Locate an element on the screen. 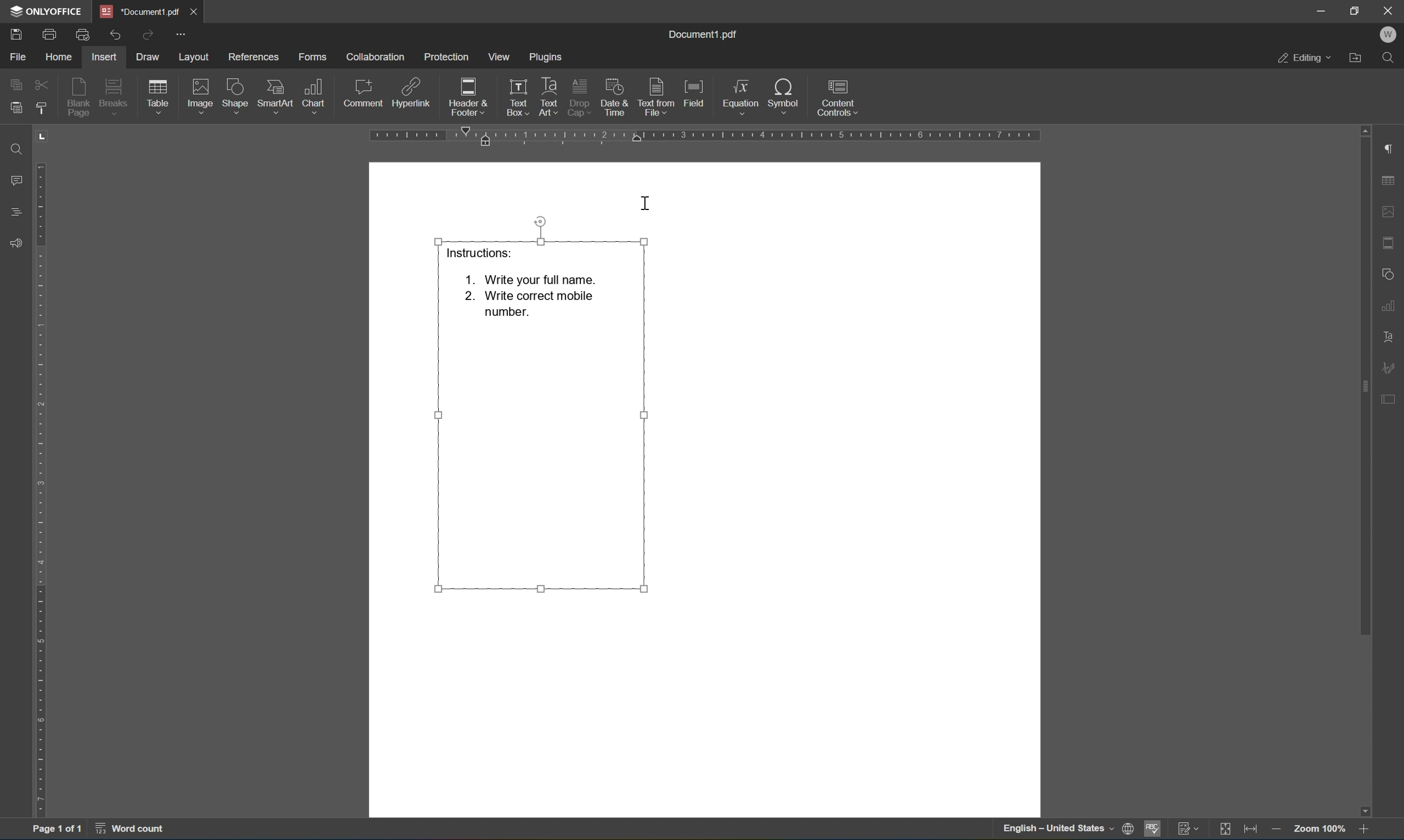 This screenshot has width=1404, height=840. draw is located at coordinates (150, 55).